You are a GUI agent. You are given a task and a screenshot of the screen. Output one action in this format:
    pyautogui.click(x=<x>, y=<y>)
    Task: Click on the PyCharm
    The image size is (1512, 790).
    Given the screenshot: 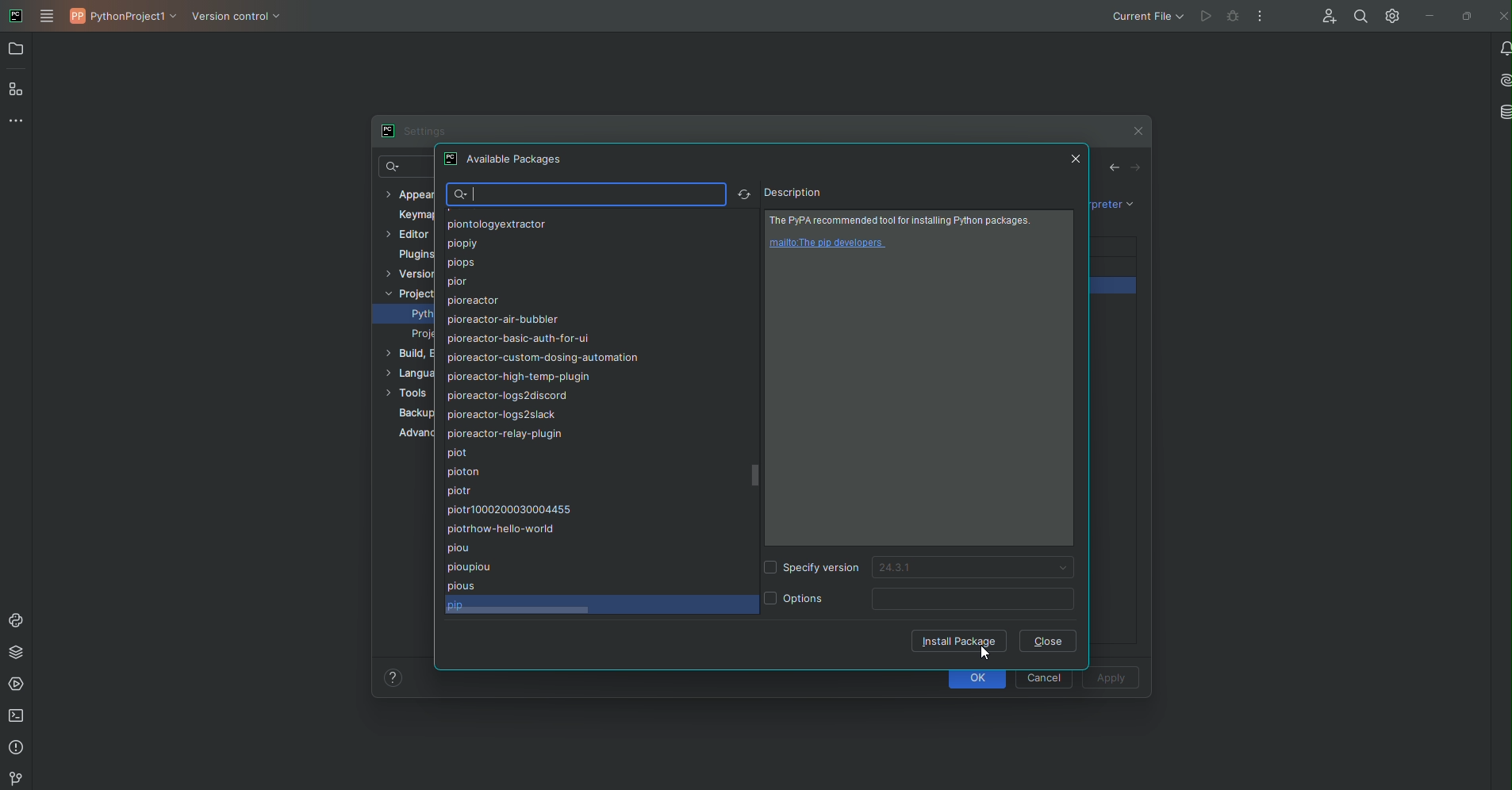 What is the action you would take?
    pyautogui.click(x=15, y=15)
    